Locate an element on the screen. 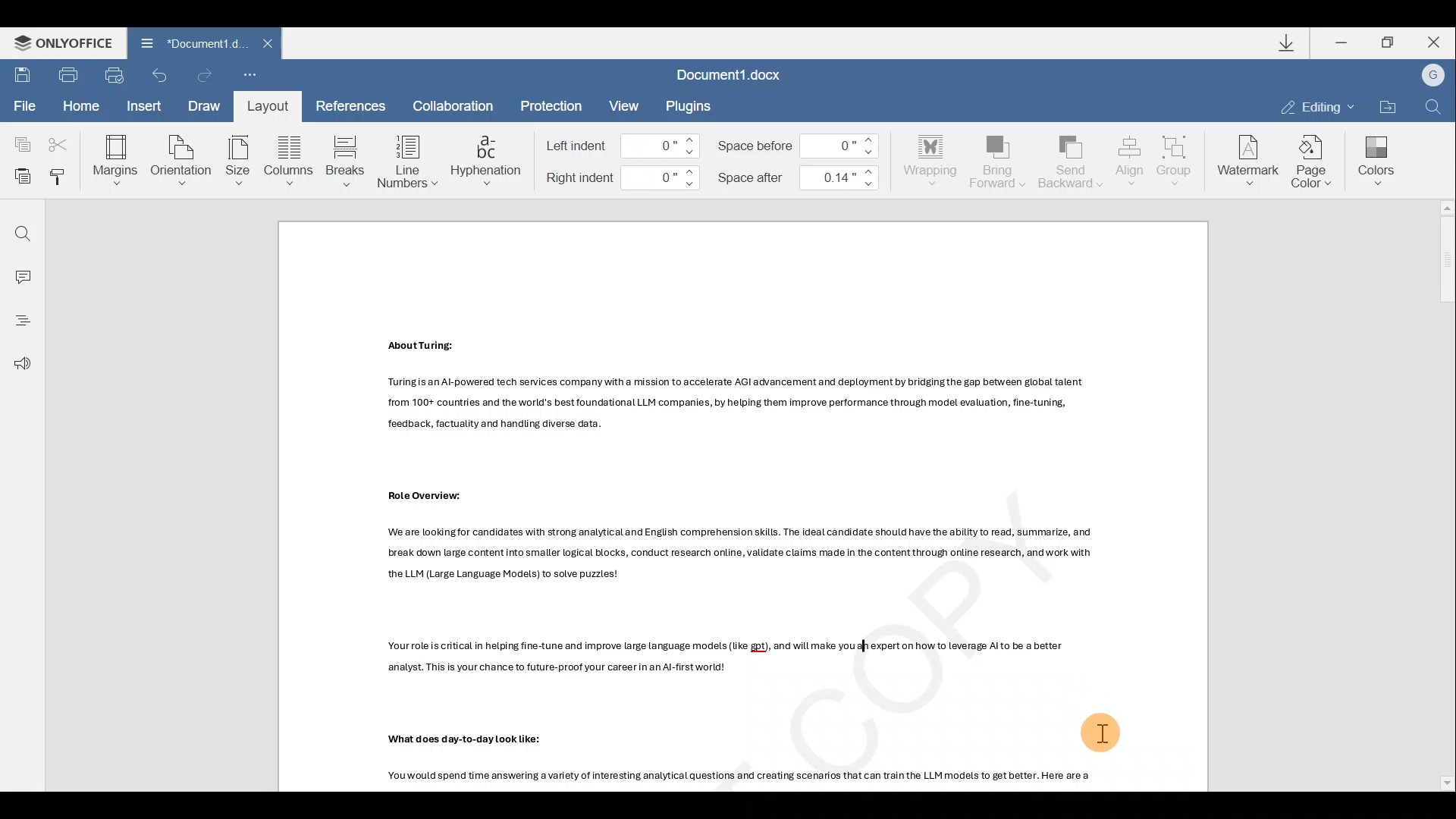 The width and height of the screenshot is (1456, 819). Space before is located at coordinates (799, 145).